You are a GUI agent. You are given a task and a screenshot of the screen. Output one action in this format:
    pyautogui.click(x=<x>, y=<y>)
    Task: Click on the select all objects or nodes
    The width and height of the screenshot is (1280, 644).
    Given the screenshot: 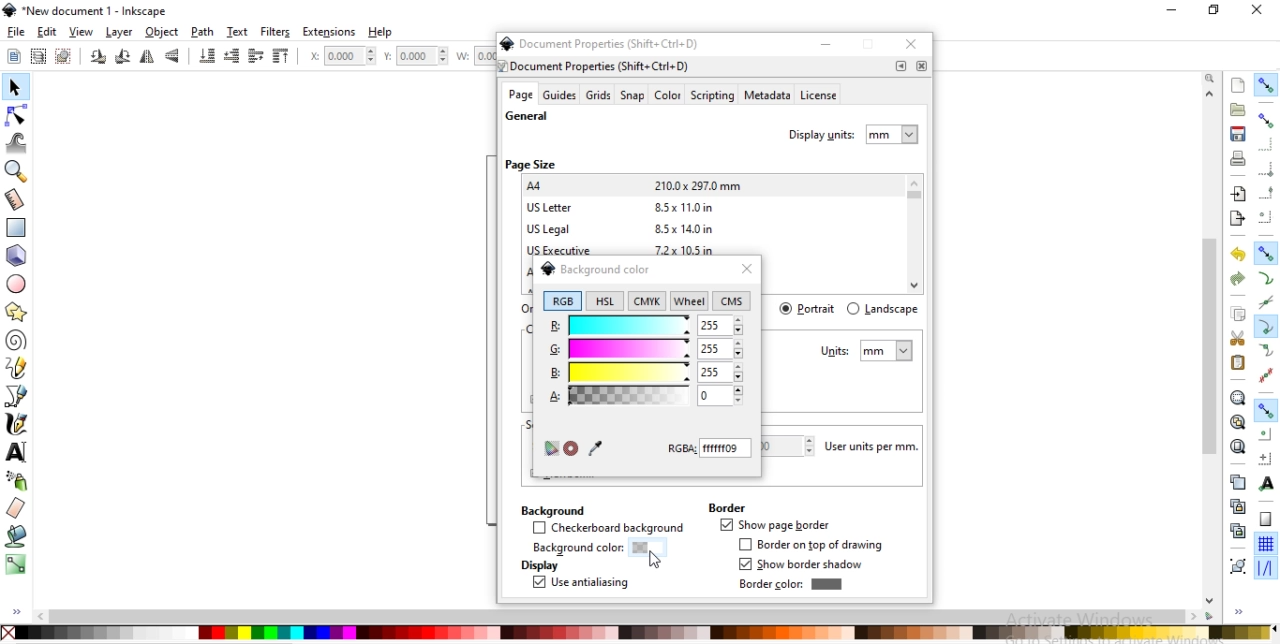 What is the action you would take?
    pyautogui.click(x=13, y=54)
    